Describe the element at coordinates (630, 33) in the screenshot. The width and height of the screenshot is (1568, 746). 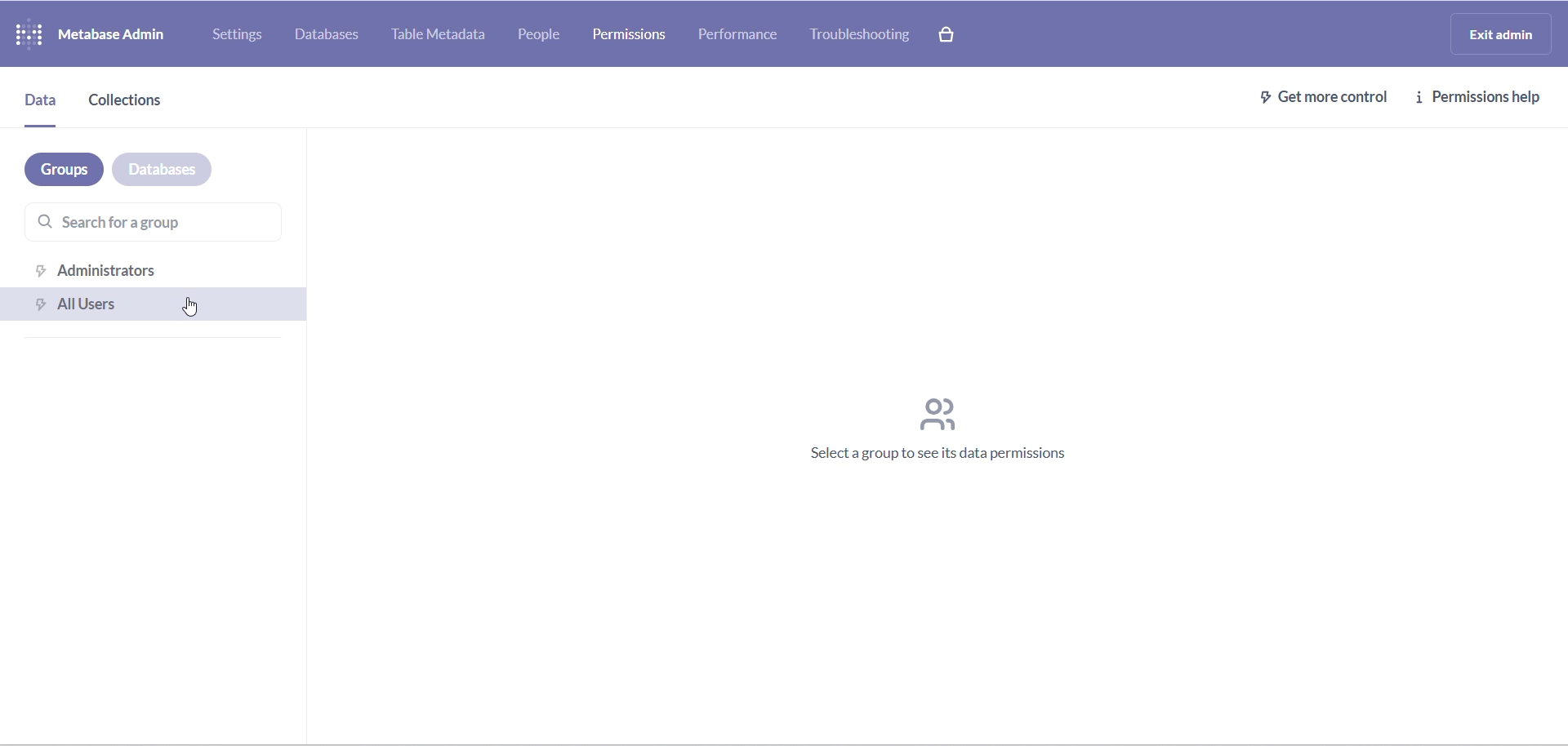
I see `permission` at that location.